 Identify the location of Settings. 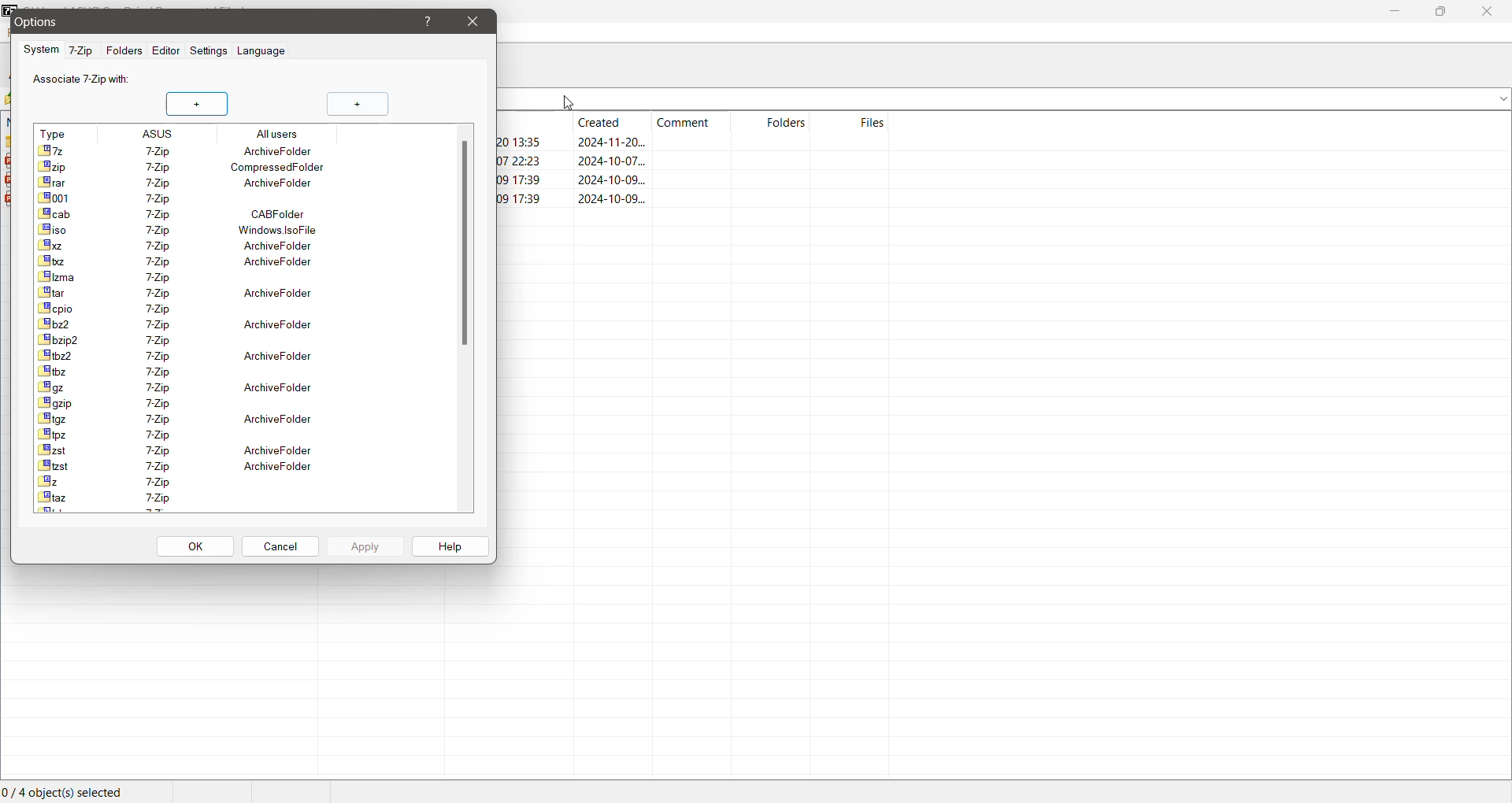
(209, 51).